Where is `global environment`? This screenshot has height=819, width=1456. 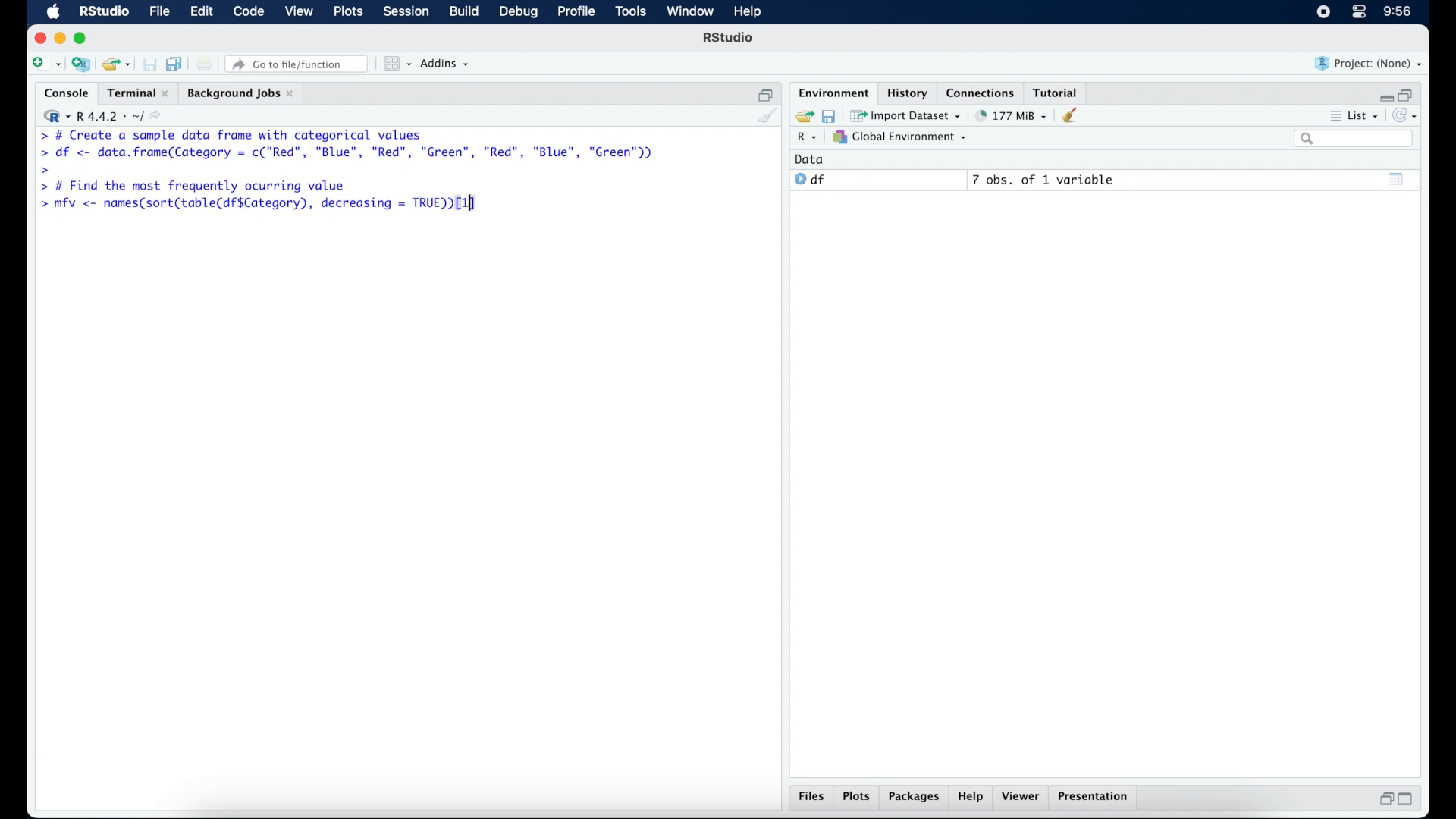
global environment is located at coordinates (905, 137).